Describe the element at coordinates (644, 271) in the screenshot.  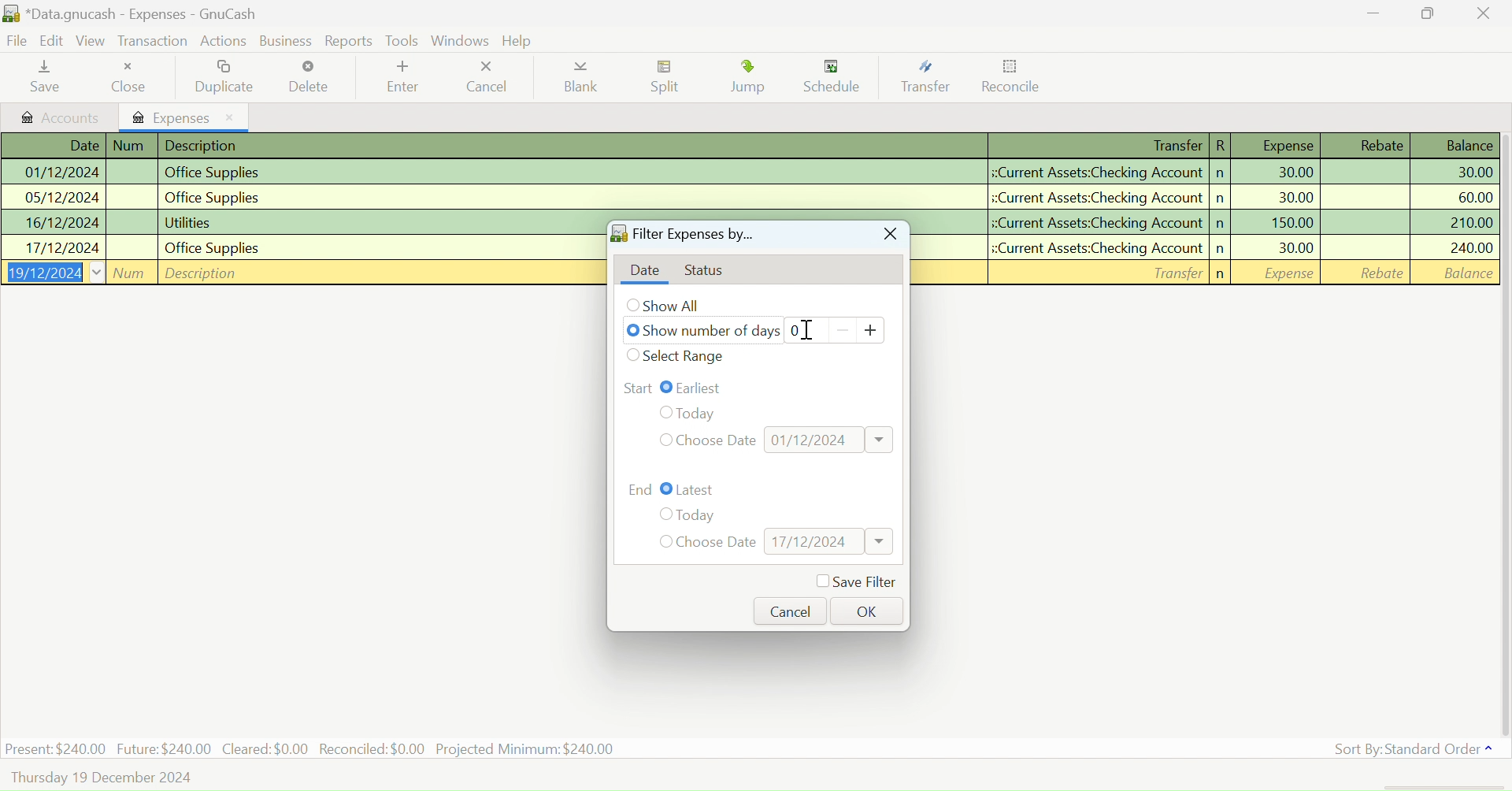
I see `Date` at that location.